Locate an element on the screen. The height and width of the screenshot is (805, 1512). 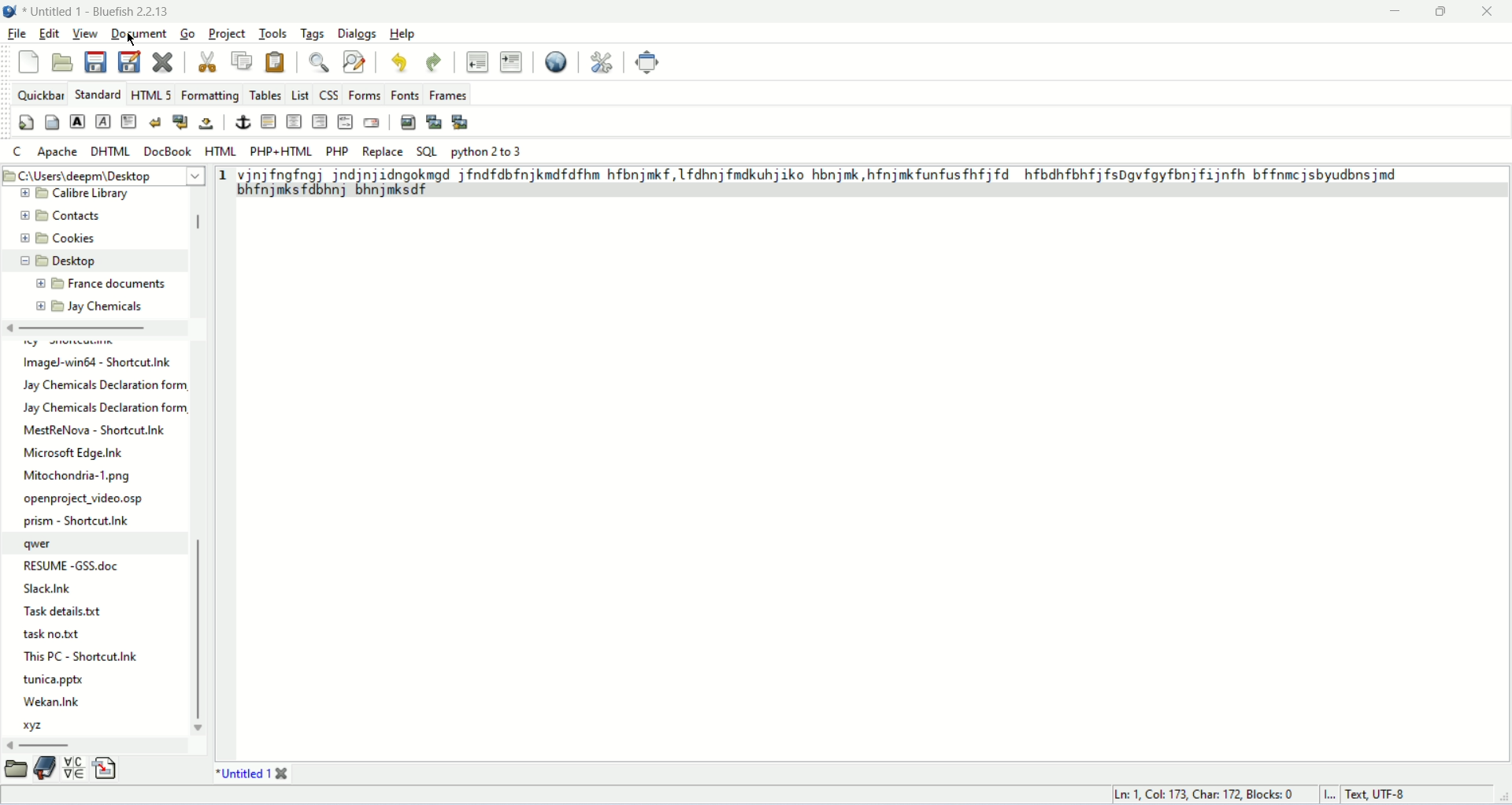
non-breaking space is located at coordinates (208, 124).